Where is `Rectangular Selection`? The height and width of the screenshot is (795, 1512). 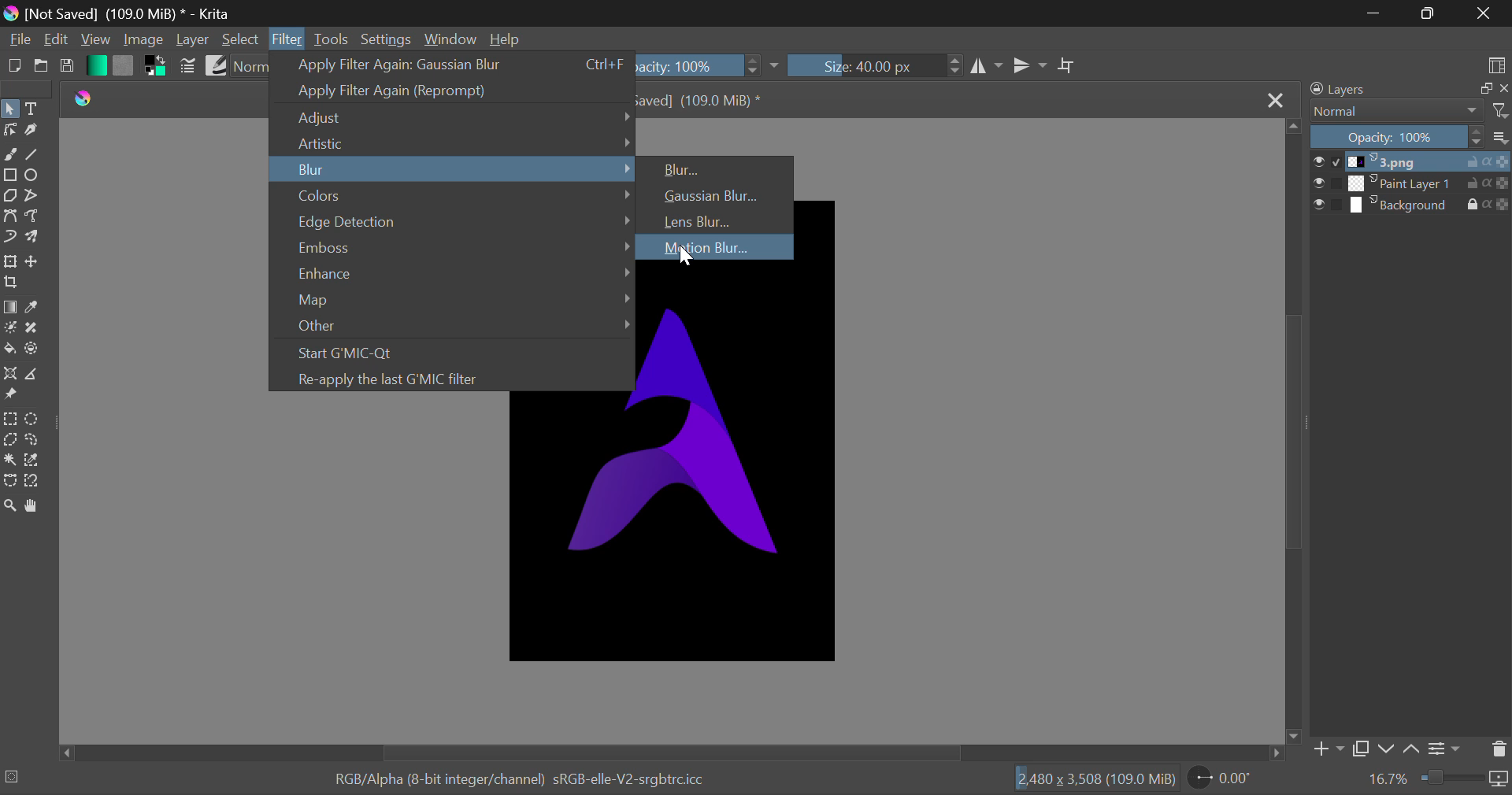
Rectangular Selection is located at coordinates (9, 419).